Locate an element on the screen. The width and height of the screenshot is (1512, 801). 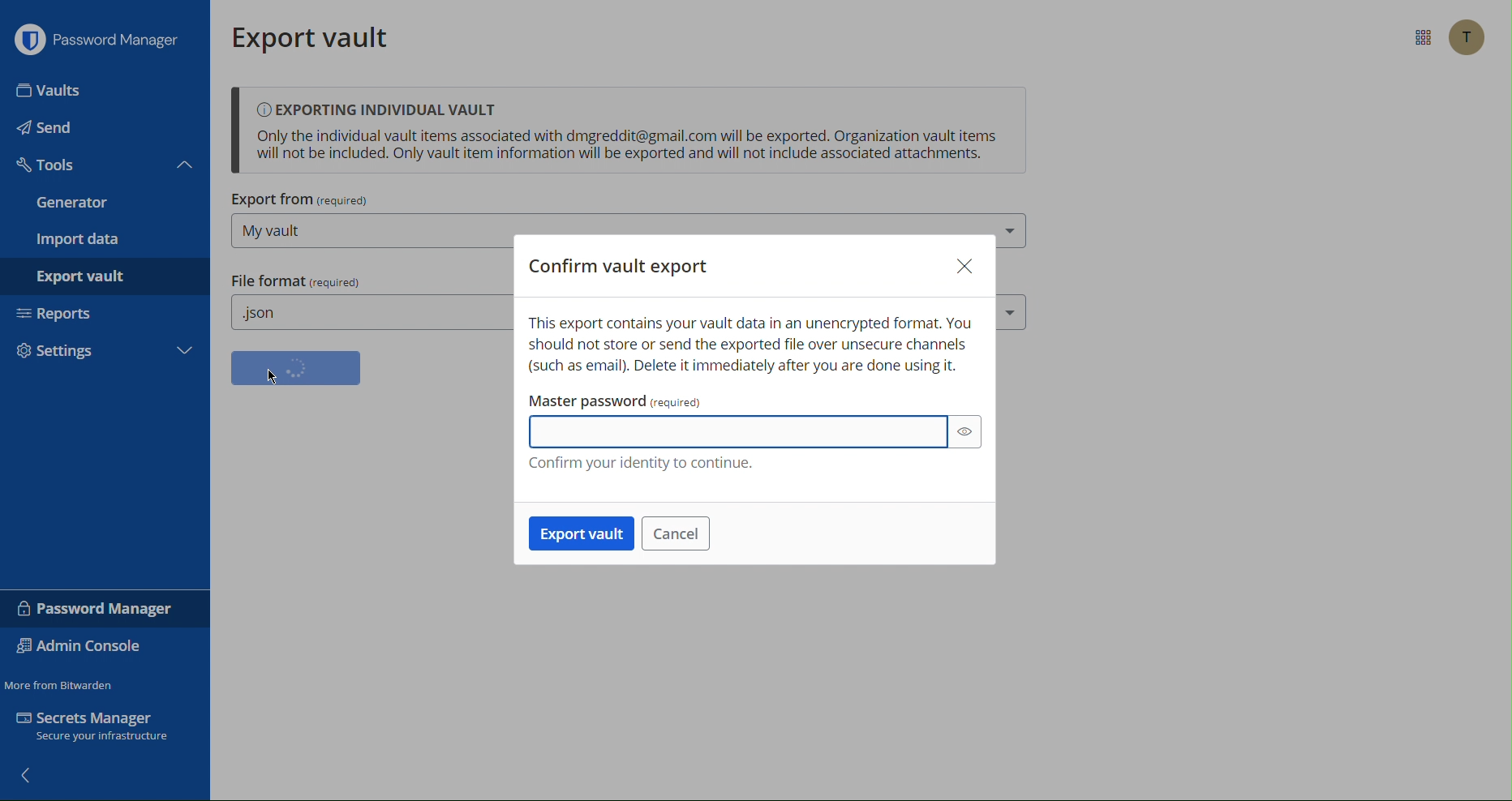
Account is located at coordinates (1468, 38).